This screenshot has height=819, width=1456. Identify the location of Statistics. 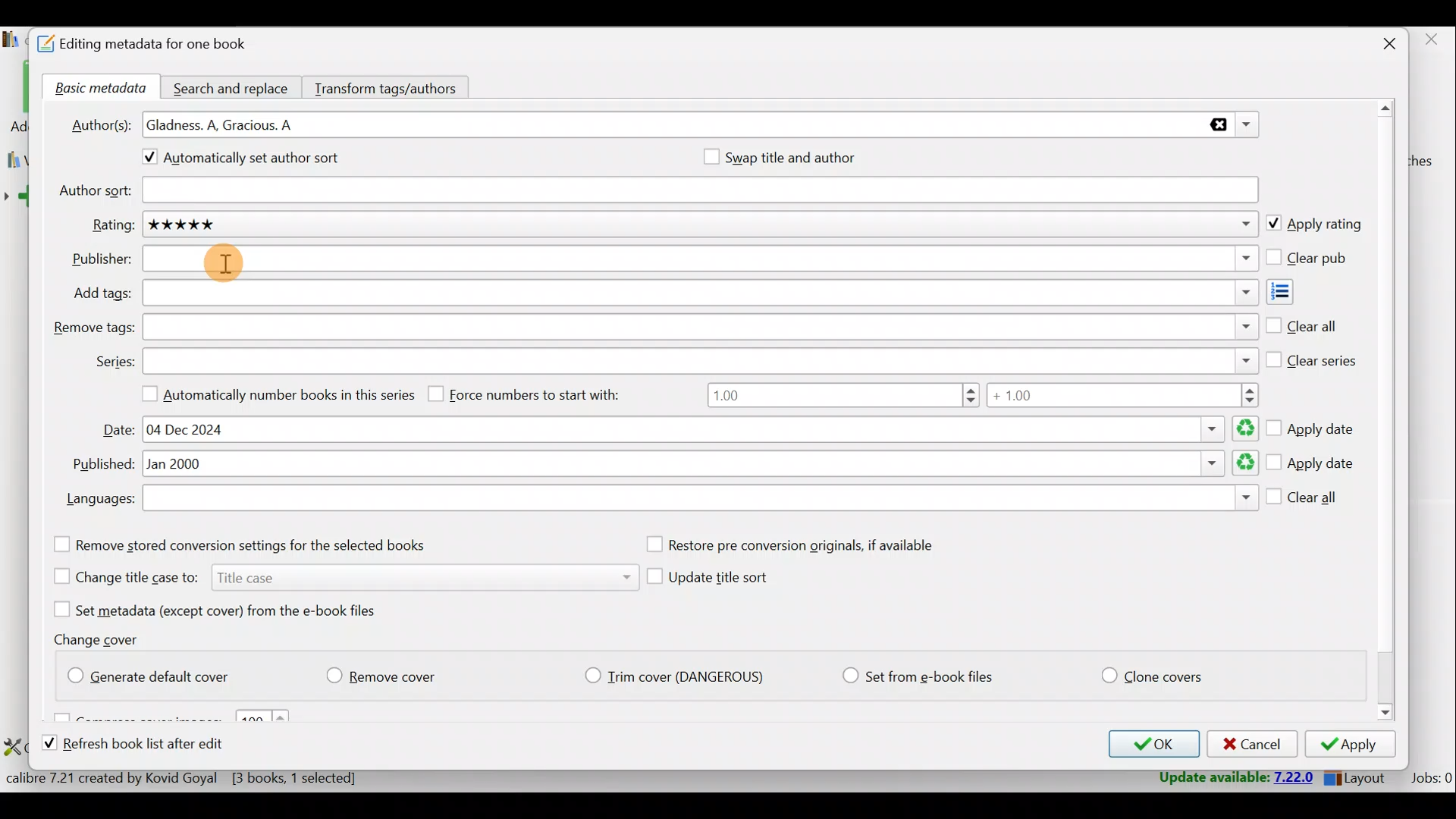
(210, 777).